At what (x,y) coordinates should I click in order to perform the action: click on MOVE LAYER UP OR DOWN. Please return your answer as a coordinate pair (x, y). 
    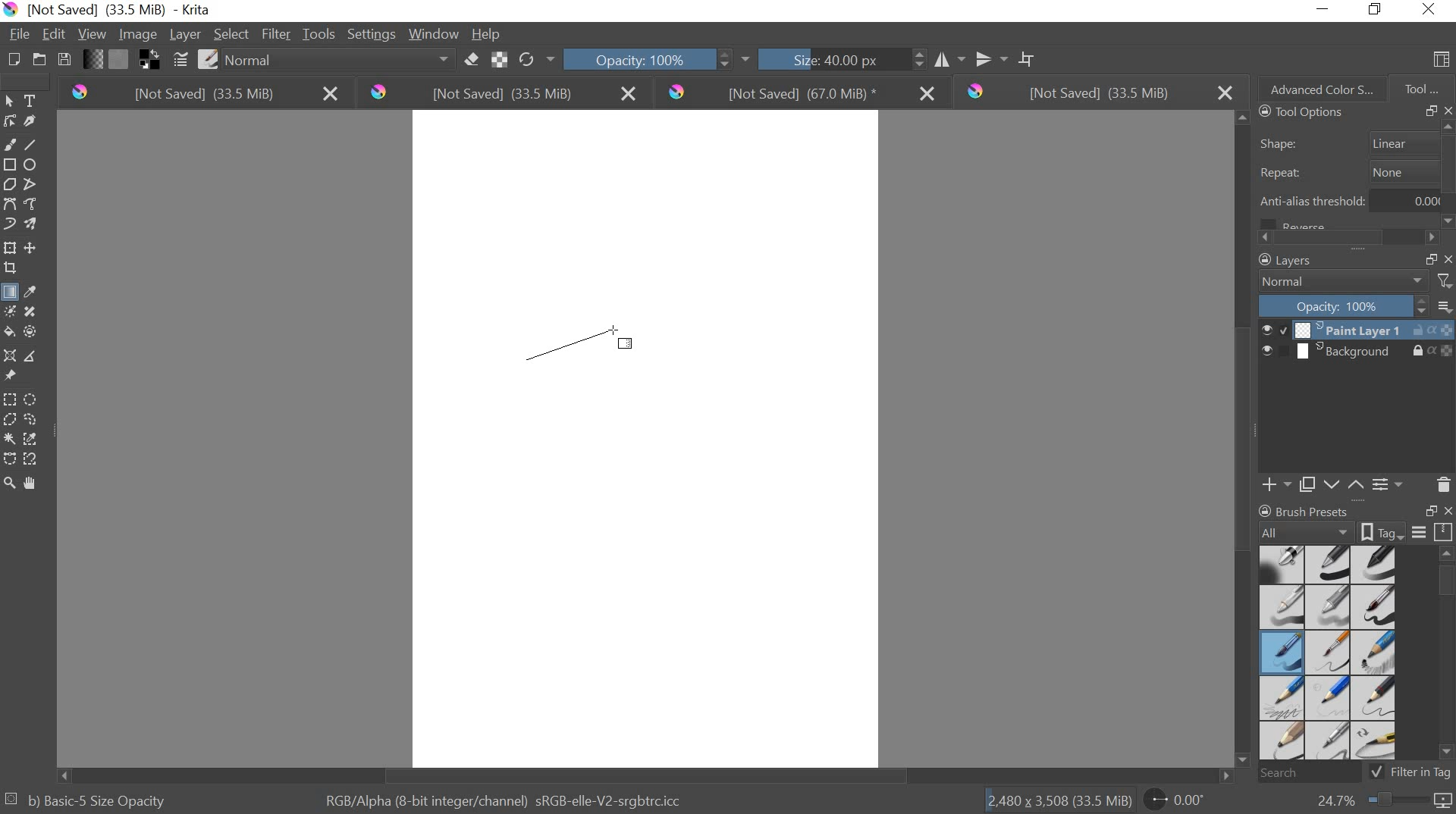
    Looking at the image, I should click on (1341, 484).